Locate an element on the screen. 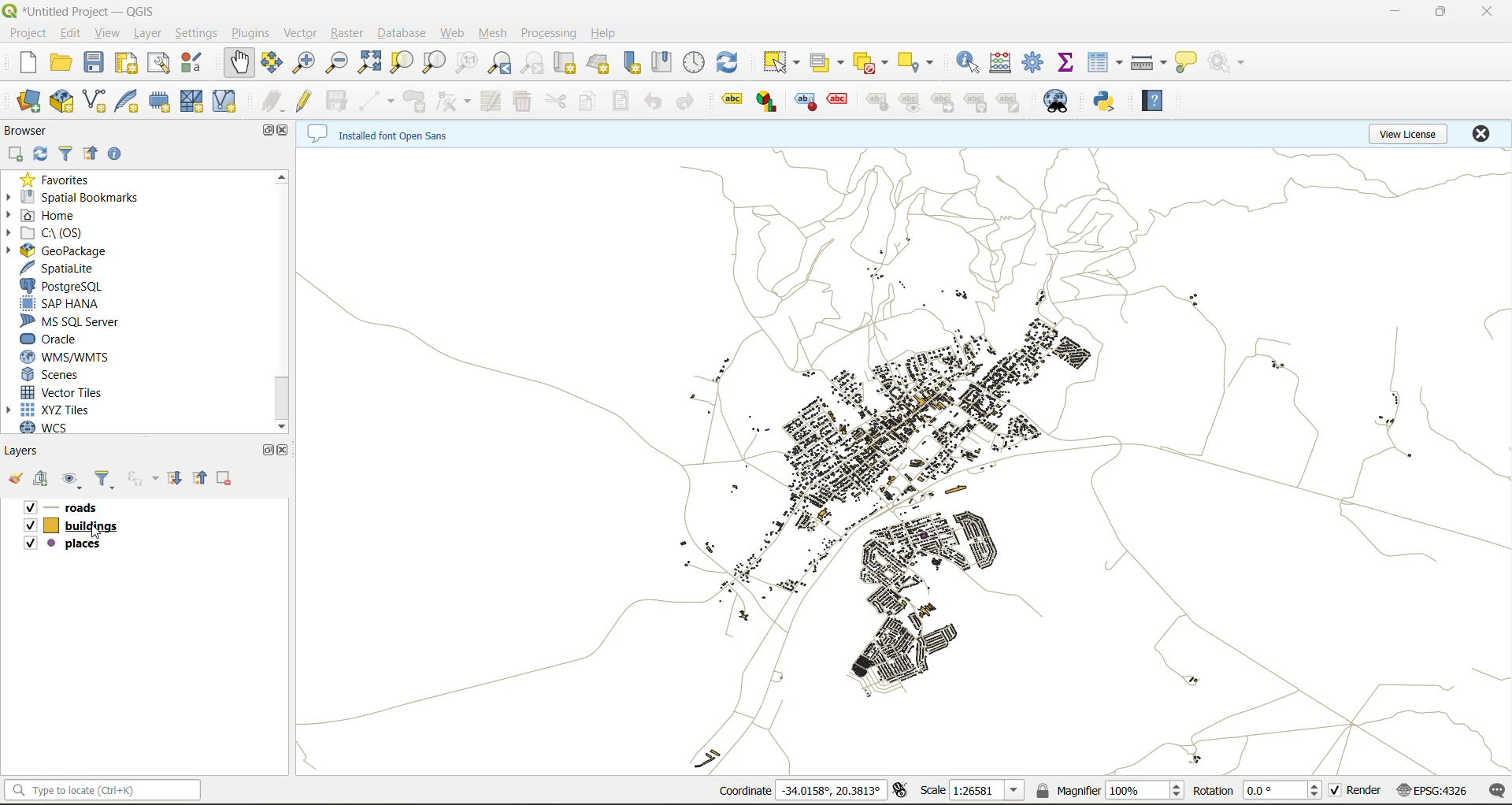  new spatialite is located at coordinates (133, 102).